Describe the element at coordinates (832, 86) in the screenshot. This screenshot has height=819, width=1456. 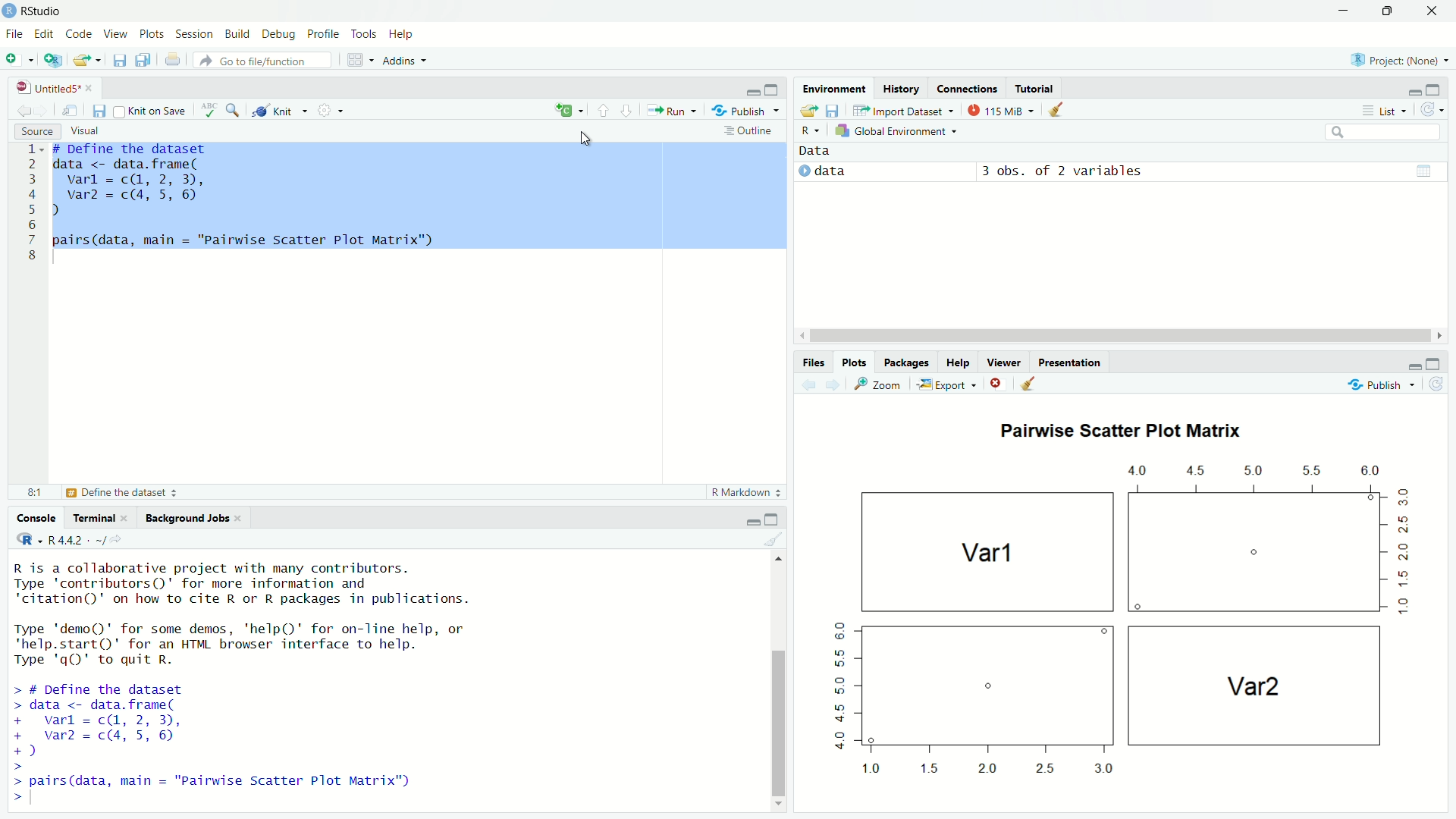
I see `Environment` at that location.